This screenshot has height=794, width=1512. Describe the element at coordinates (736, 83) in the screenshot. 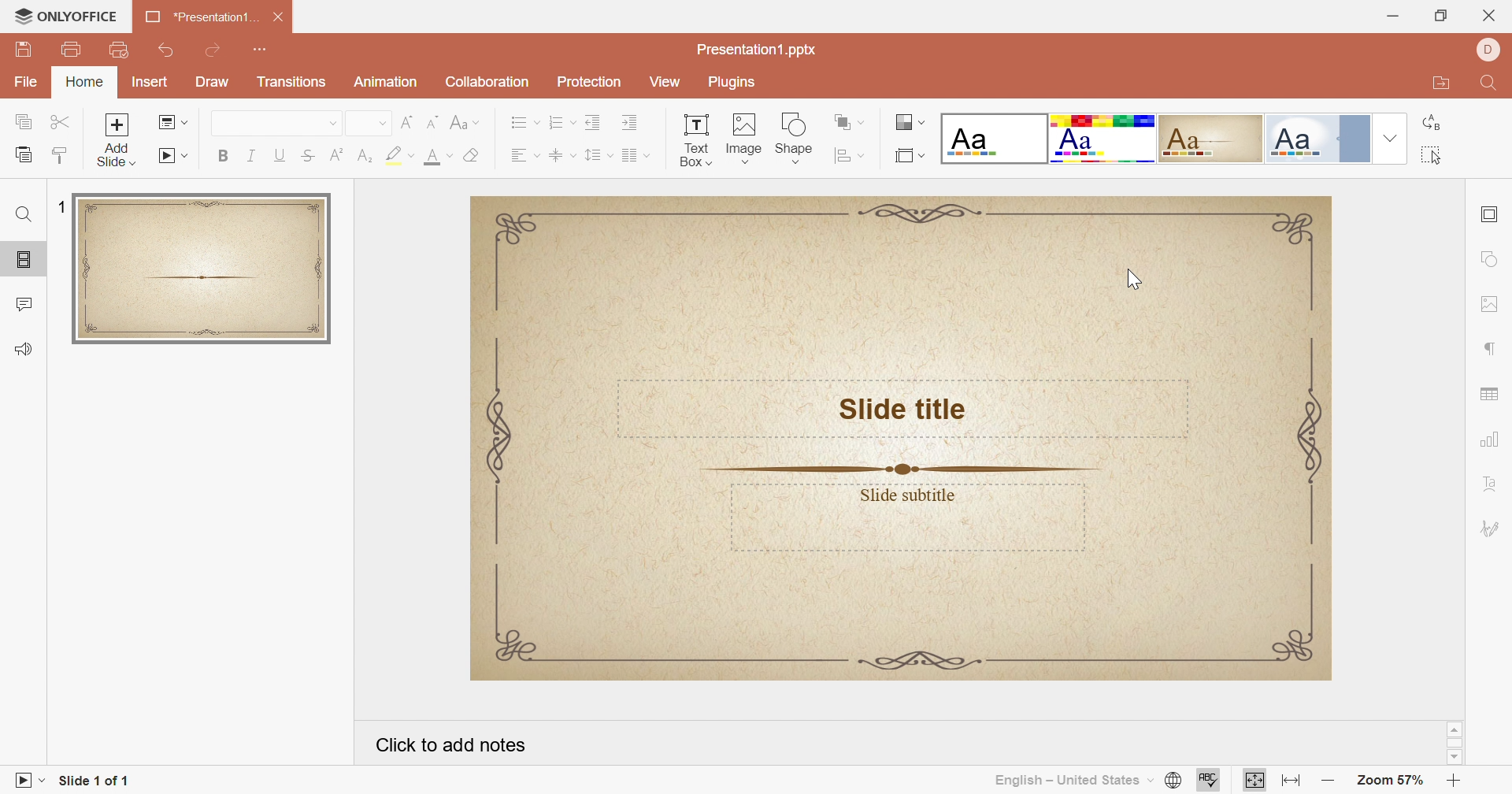

I see `Plugins` at that location.